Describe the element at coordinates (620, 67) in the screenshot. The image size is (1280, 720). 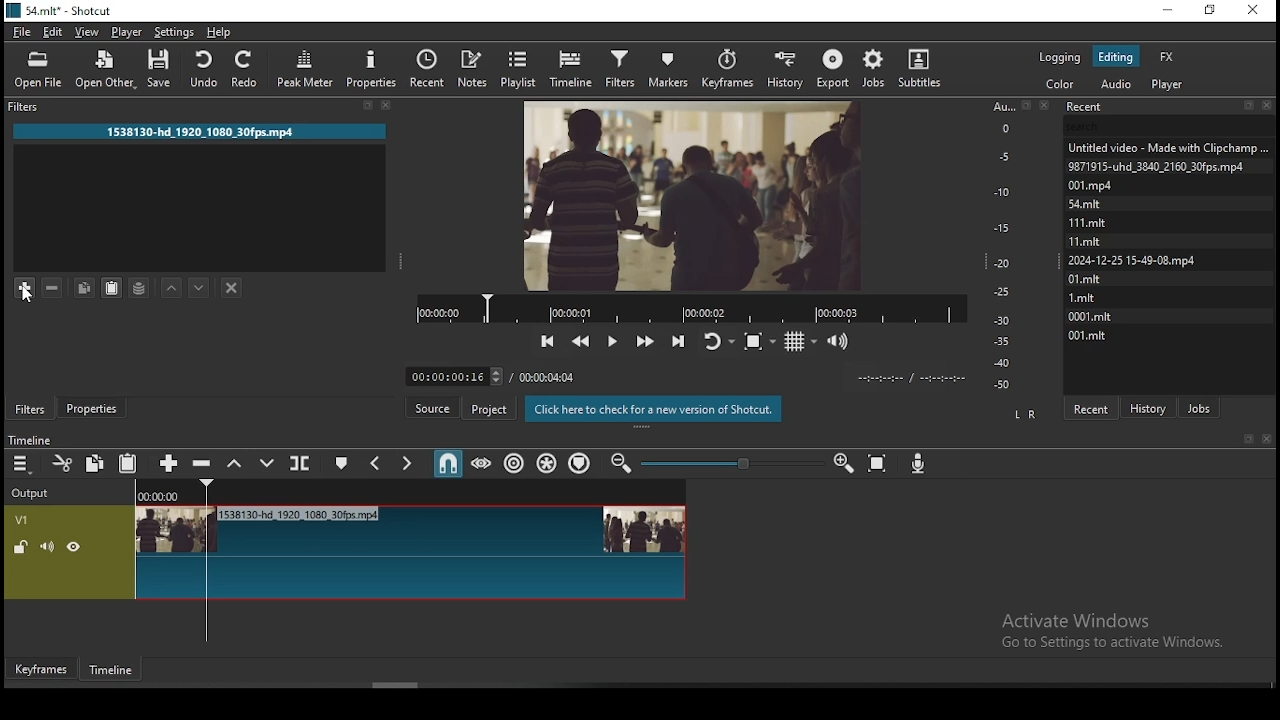
I see `filters` at that location.